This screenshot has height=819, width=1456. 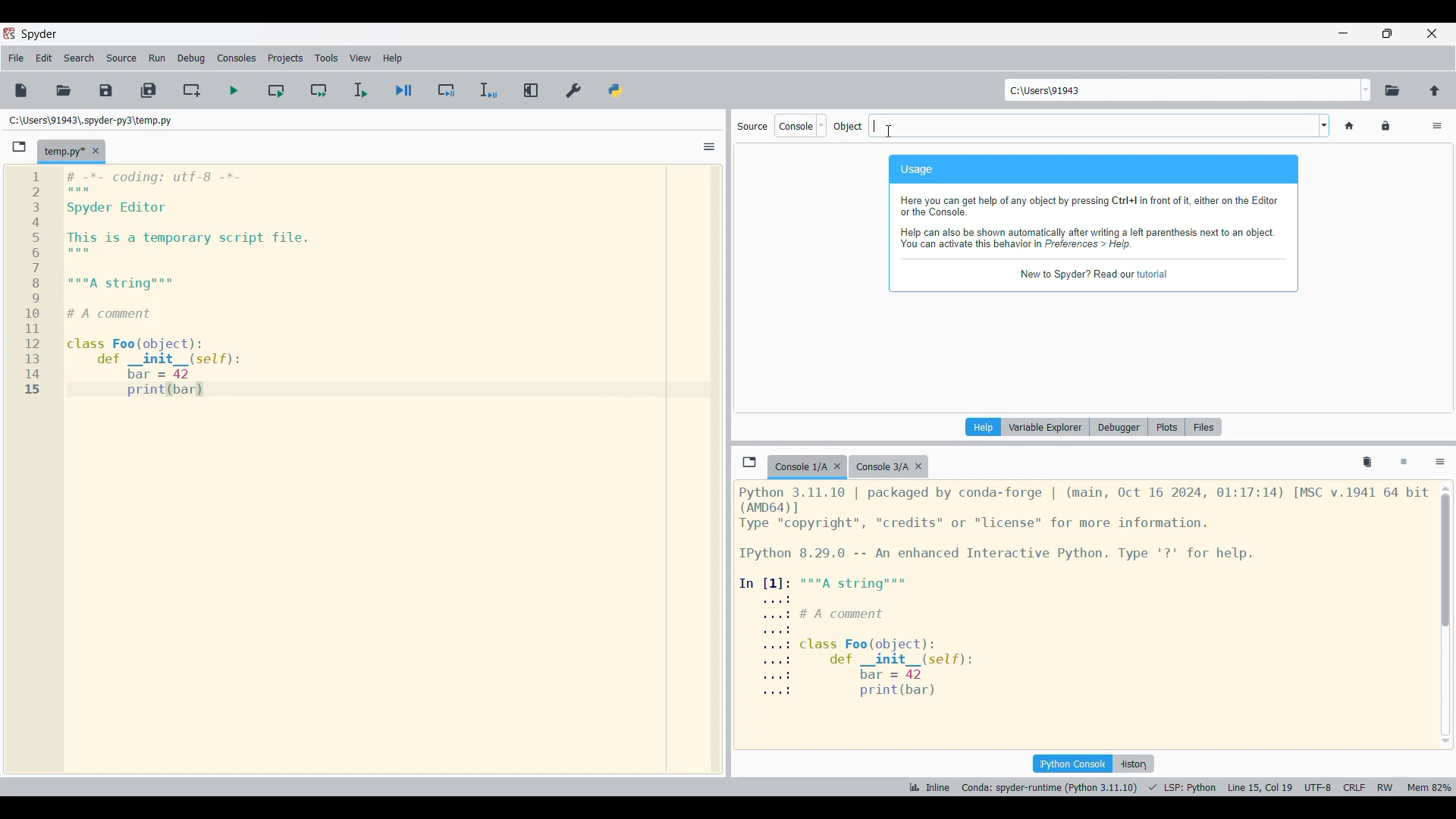 What do you see at coordinates (1387, 33) in the screenshot?
I see `Show in smaller tab` at bounding box center [1387, 33].